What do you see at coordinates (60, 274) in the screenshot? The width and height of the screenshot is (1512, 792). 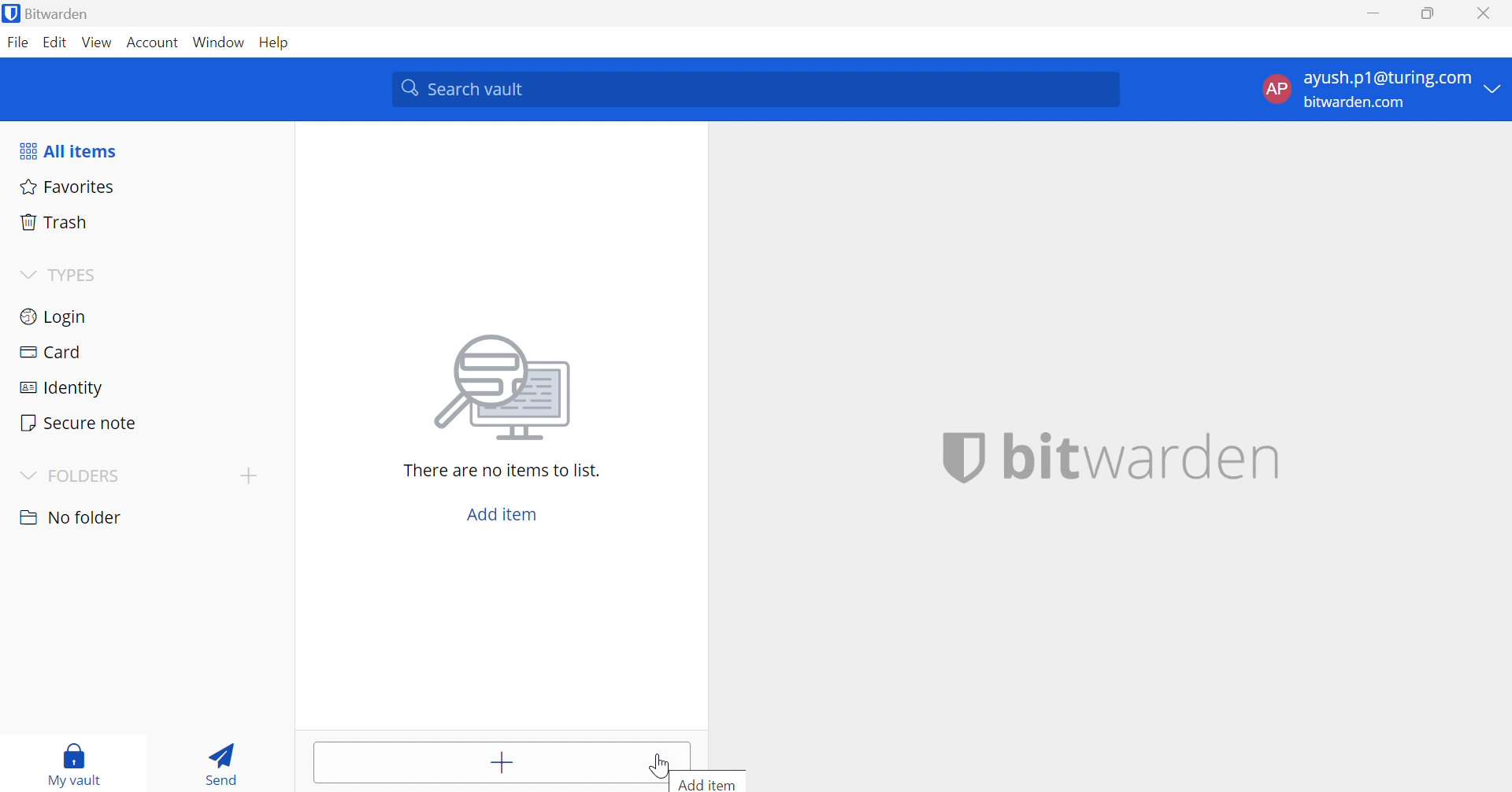 I see `TYPES` at bounding box center [60, 274].